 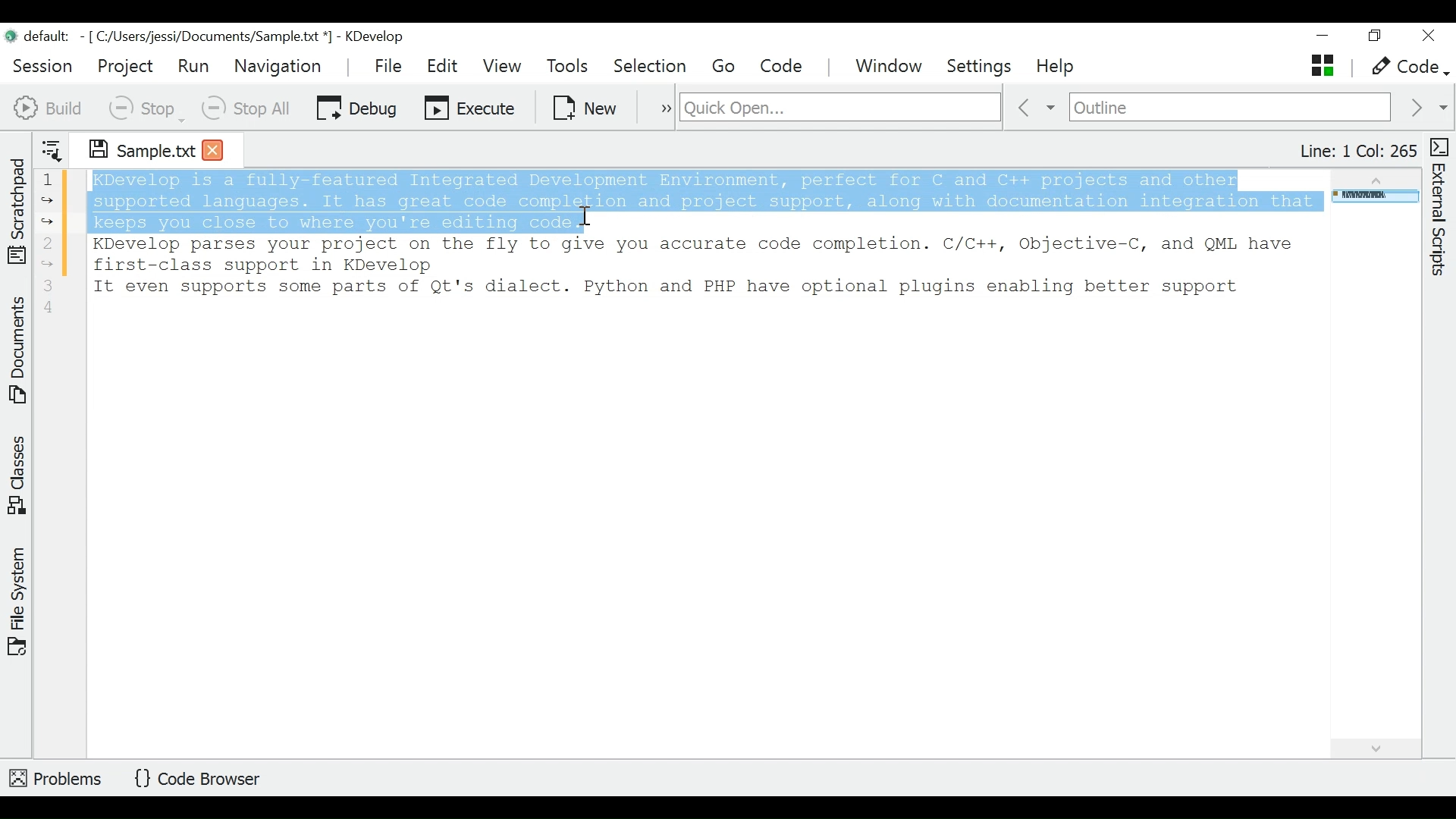 I want to click on Scroll down, so click(x=1374, y=746).